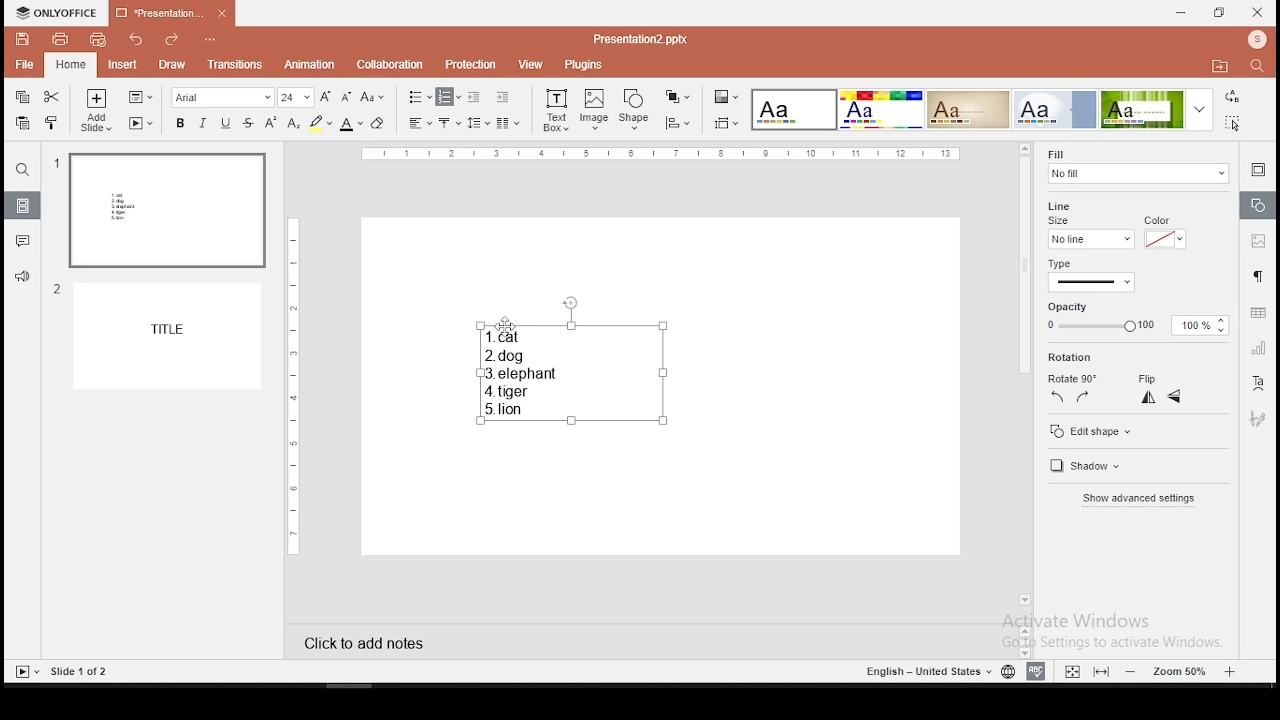  What do you see at coordinates (726, 96) in the screenshot?
I see `change color theme` at bounding box center [726, 96].